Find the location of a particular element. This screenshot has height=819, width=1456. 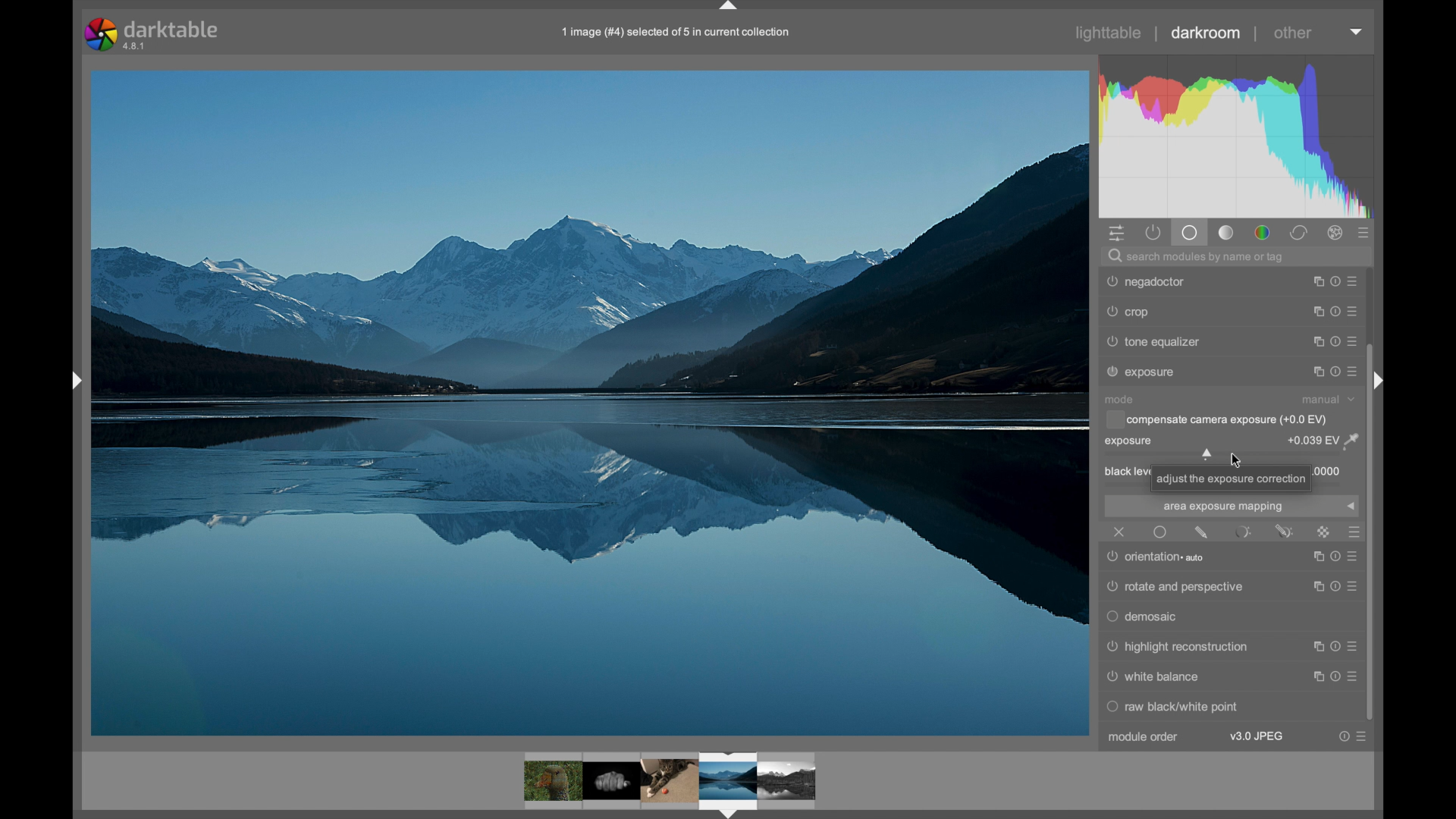

0.039 ev is located at coordinates (1323, 442).